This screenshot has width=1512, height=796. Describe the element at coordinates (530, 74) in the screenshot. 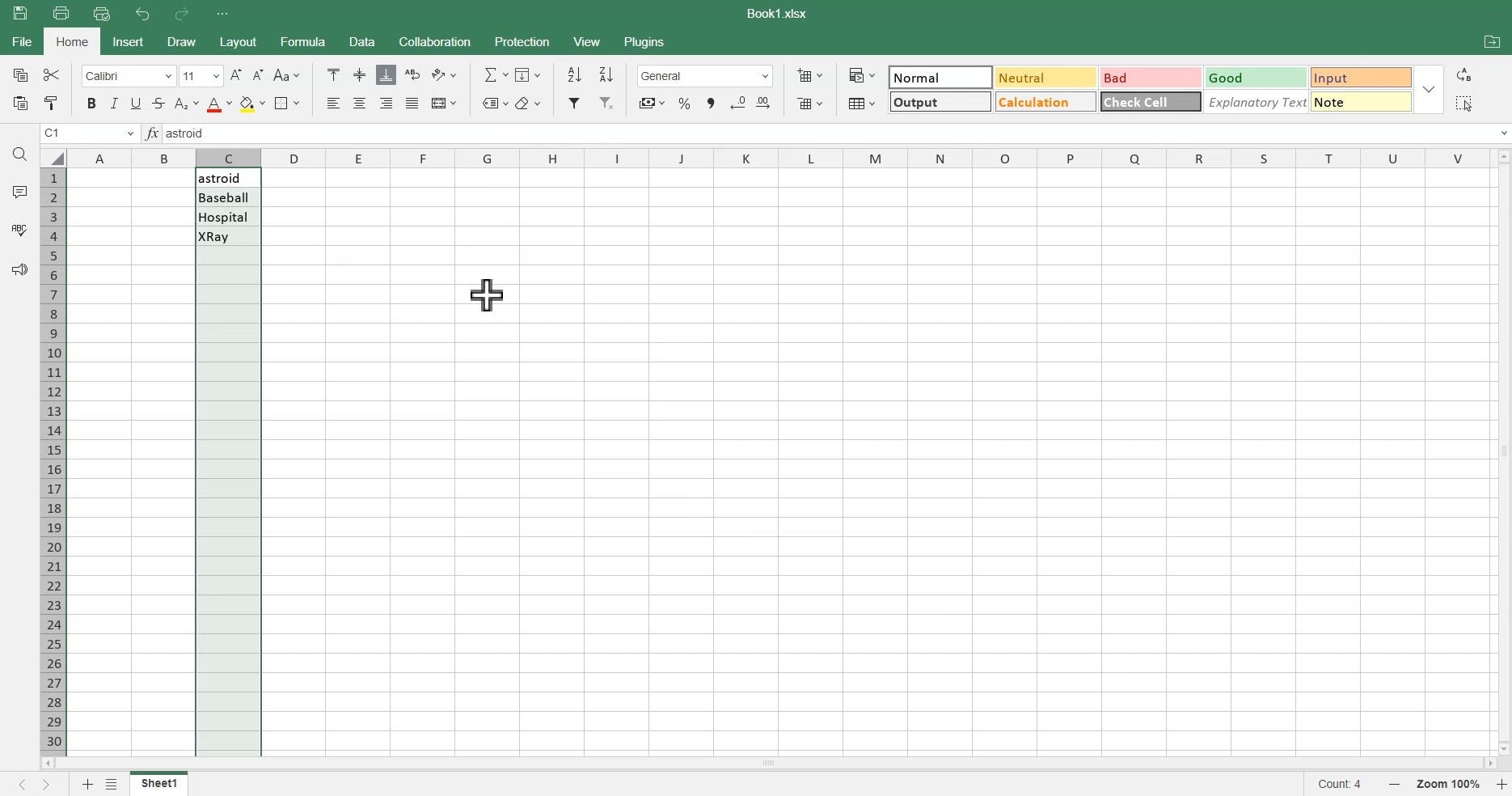

I see `Fill` at that location.